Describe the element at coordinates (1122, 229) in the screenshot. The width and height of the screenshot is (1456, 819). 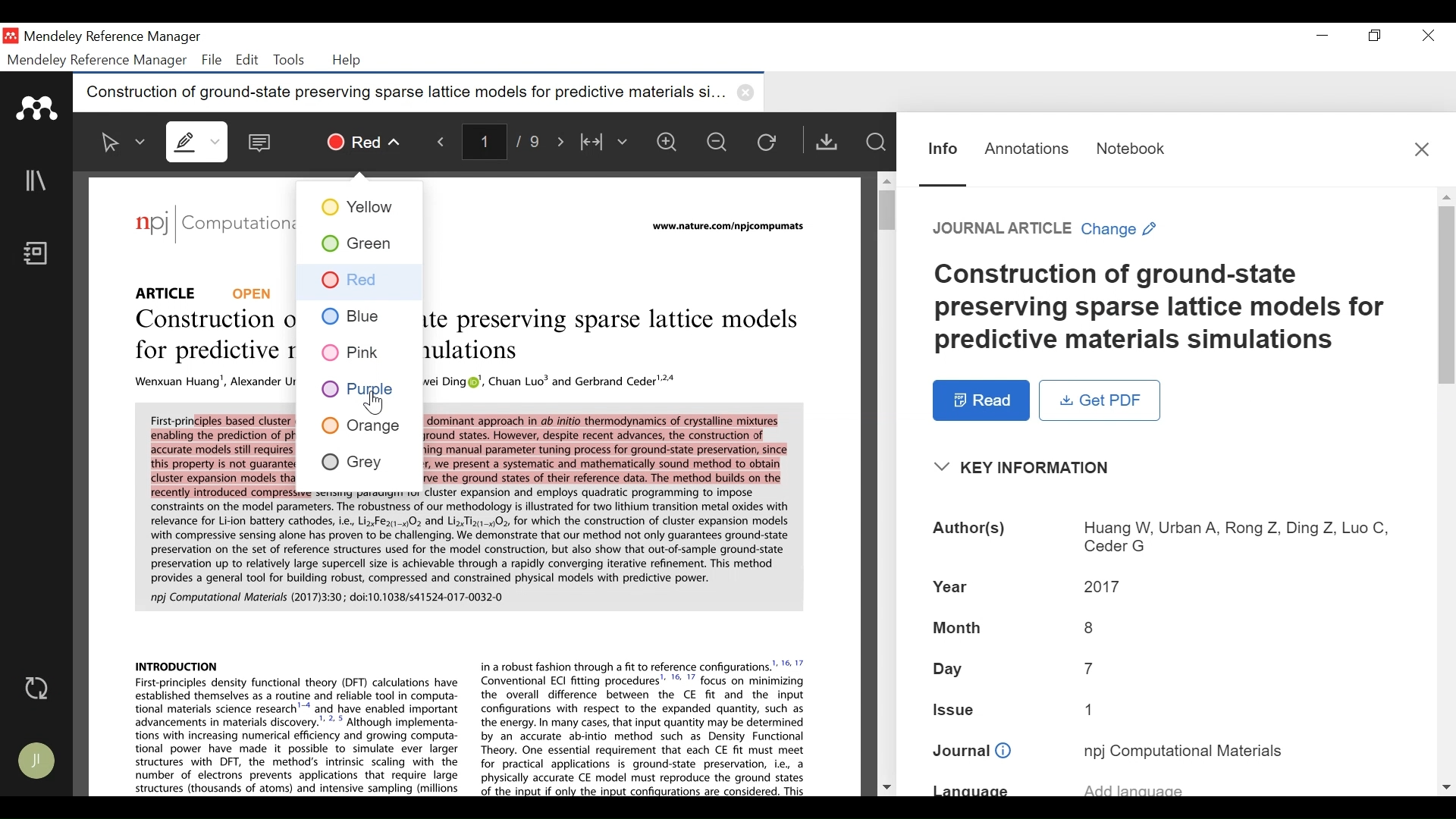
I see `Change` at that location.